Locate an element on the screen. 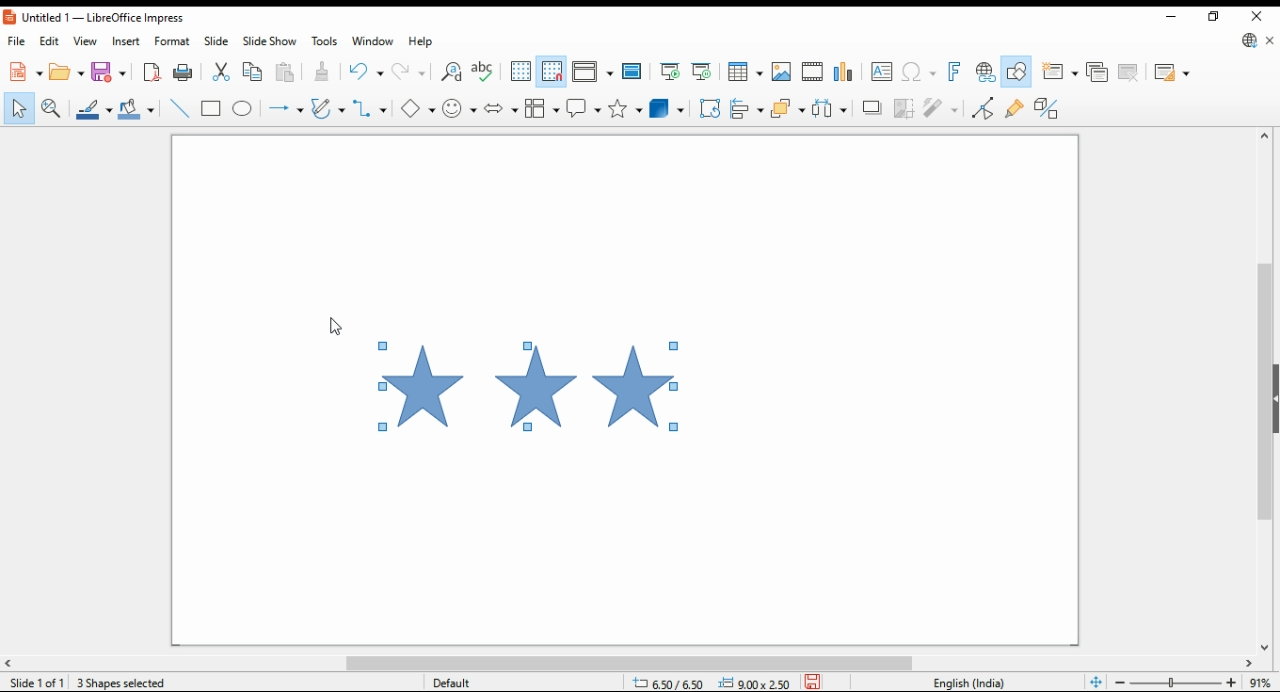  restore is located at coordinates (1215, 17).